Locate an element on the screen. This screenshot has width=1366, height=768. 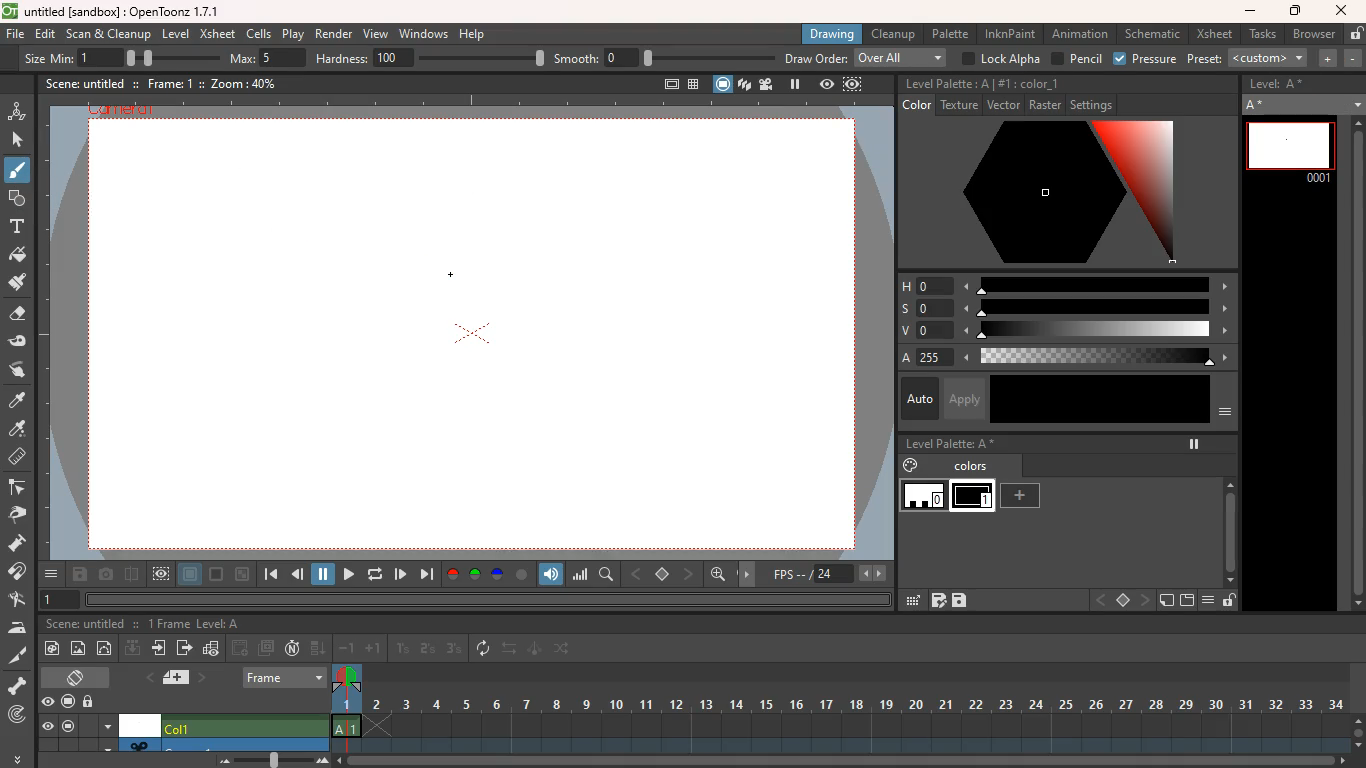
raster is located at coordinates (1045, 106).